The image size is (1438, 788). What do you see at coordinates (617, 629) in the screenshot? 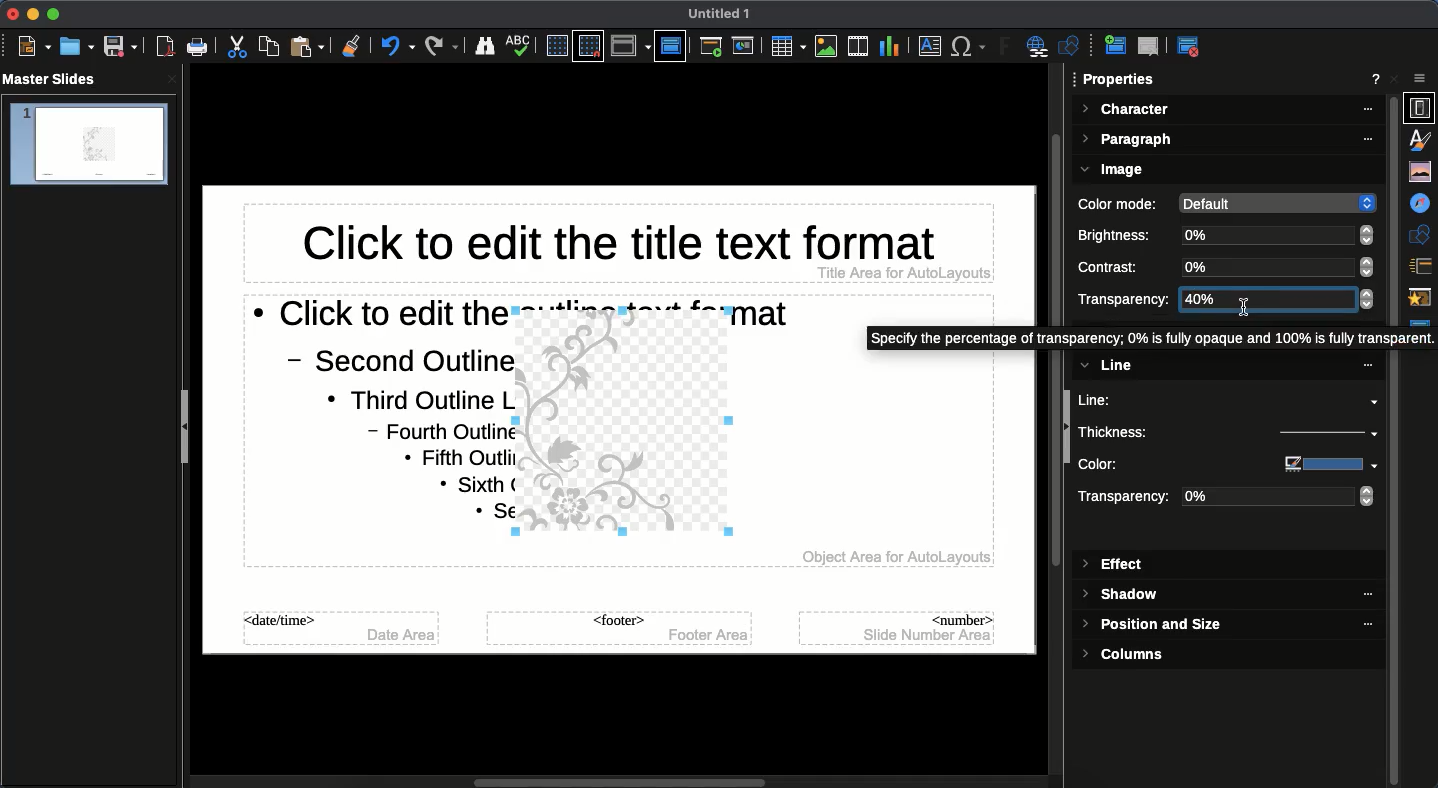
I see `Master slide footer` at bounding box center [617, 629].